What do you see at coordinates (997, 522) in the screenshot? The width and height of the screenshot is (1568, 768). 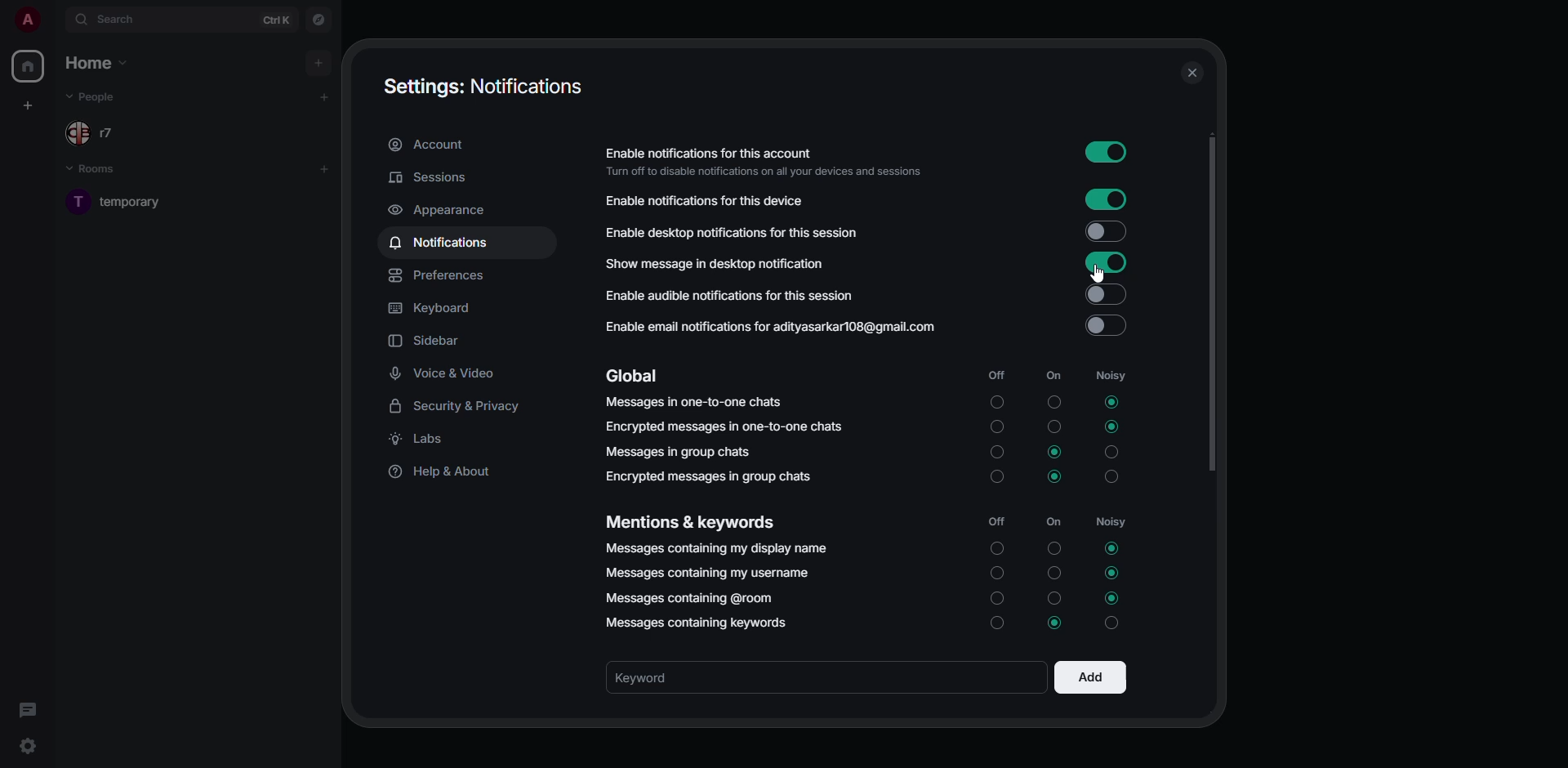 I see `off` at bounding box center [997, 522].